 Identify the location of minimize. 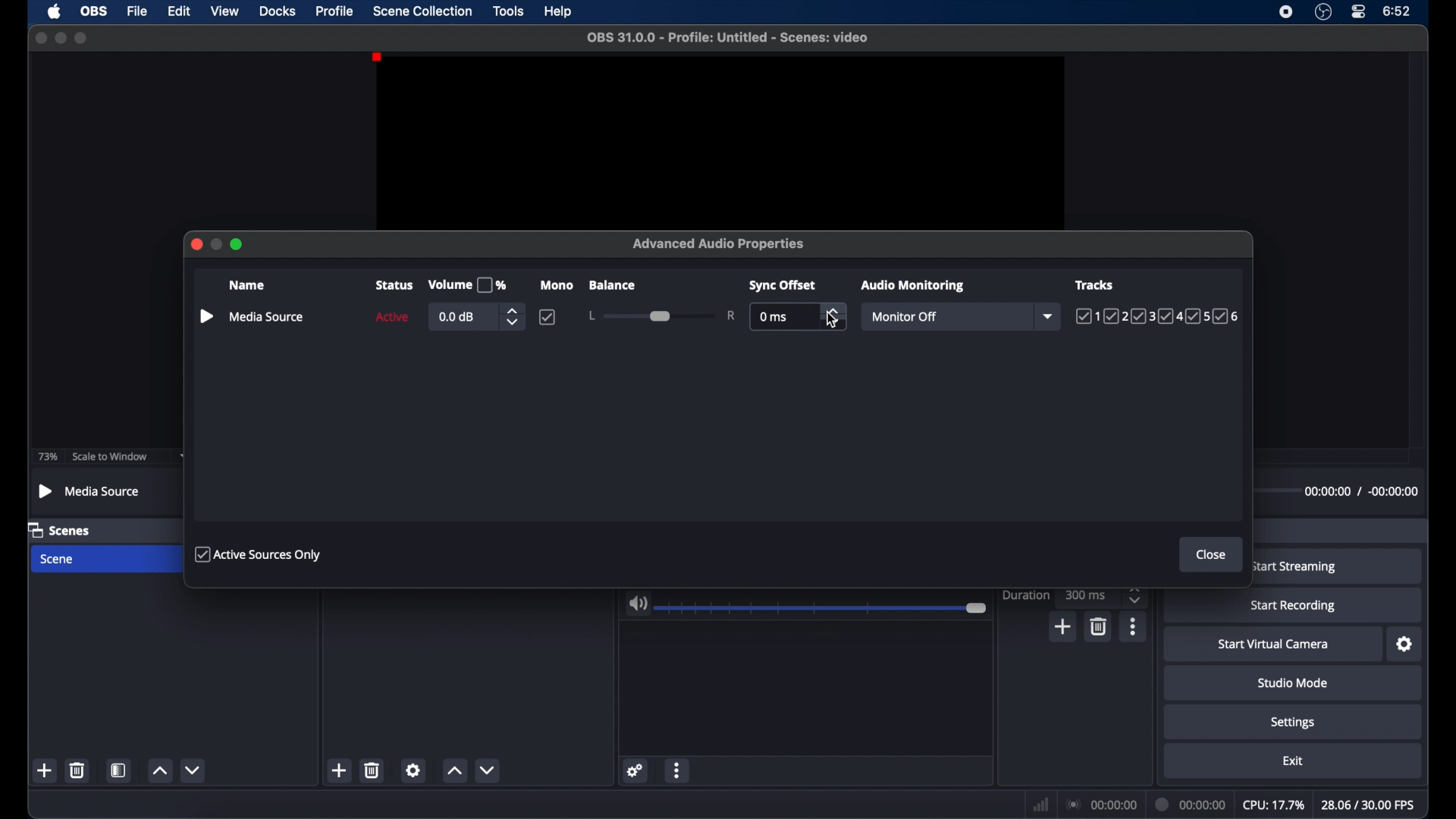
(217, 244).